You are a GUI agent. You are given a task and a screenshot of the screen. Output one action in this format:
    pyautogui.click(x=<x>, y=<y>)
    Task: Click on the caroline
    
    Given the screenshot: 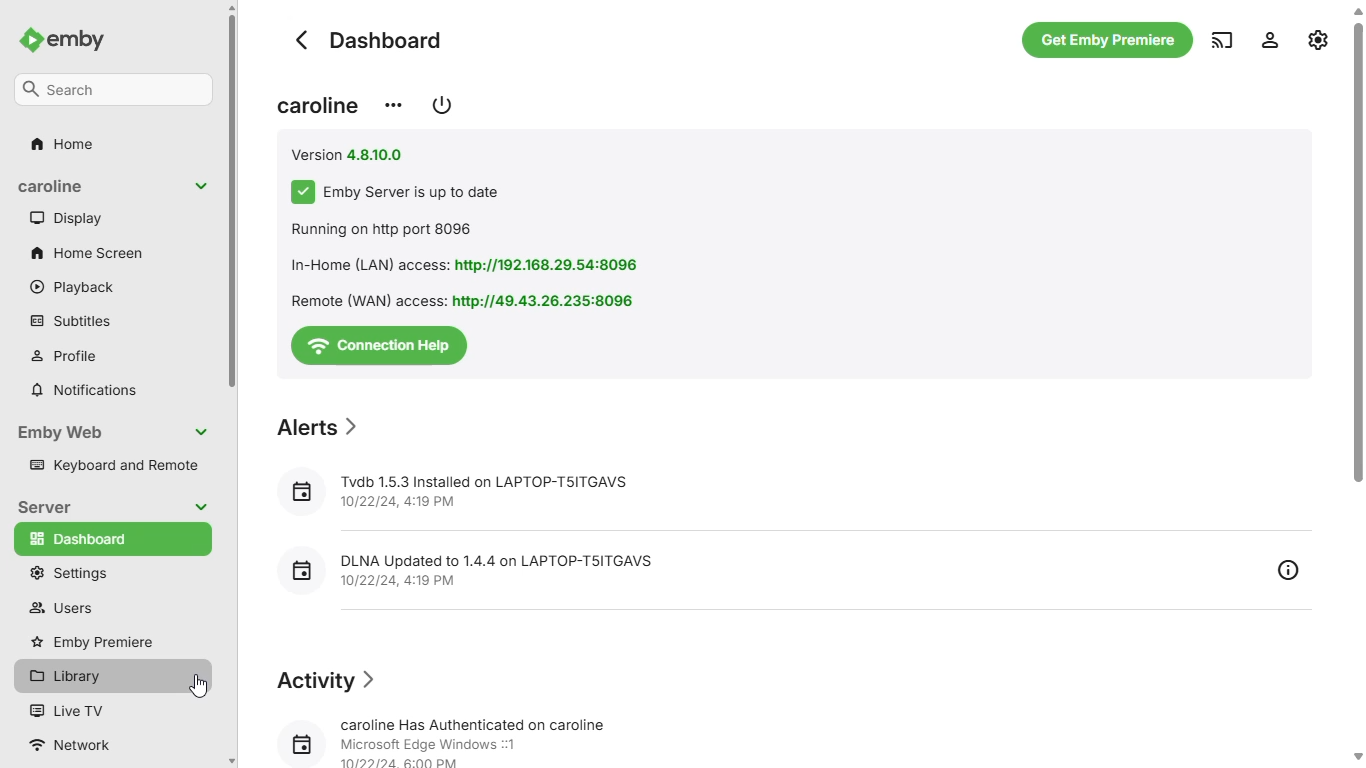 What is the action you would take?
    pyautogui.click(x=321, y=105)
    